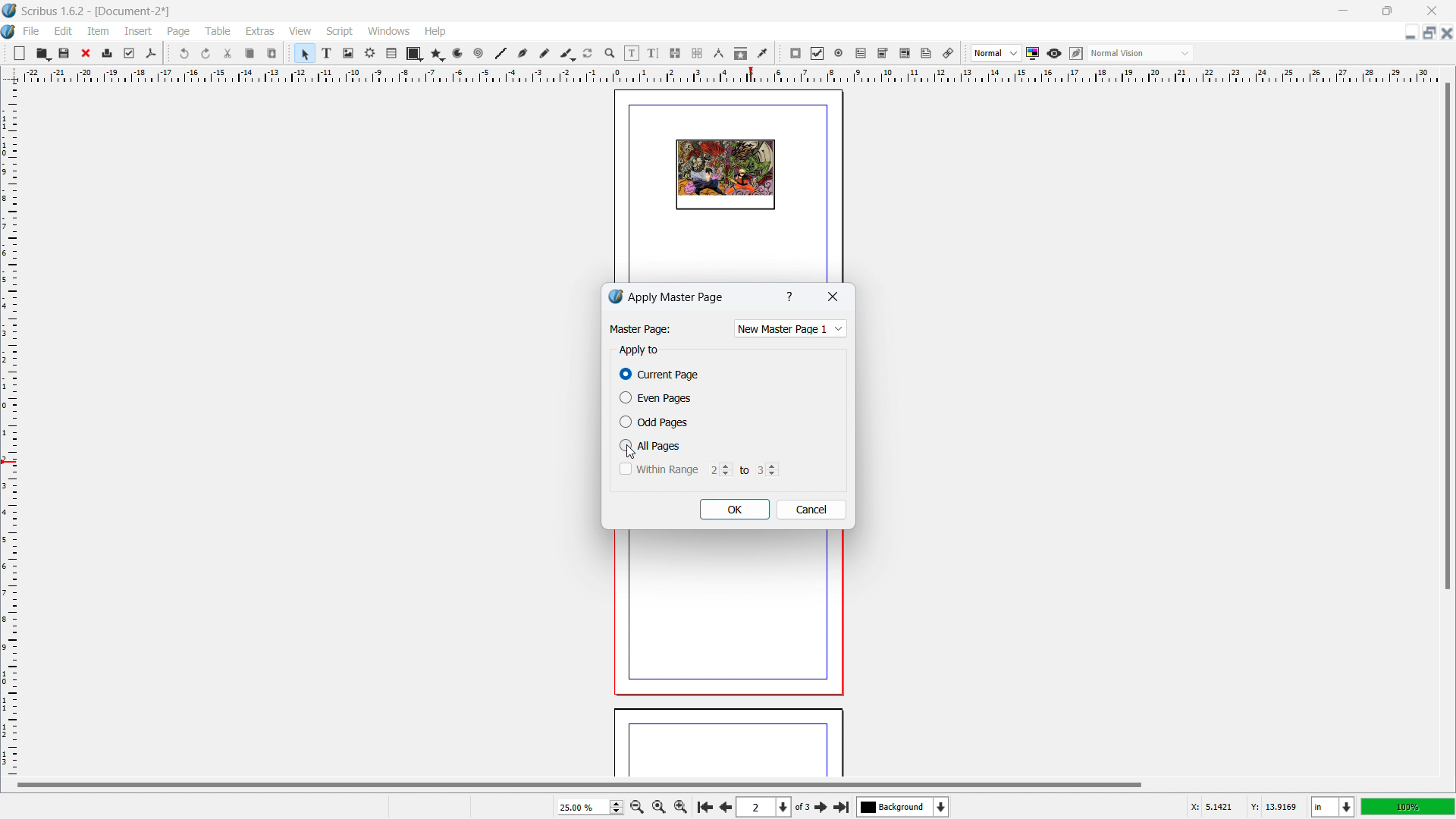 Image resolution: width=1456 pixels, height=819 pixels. I want to click on open, so click(42, 53).